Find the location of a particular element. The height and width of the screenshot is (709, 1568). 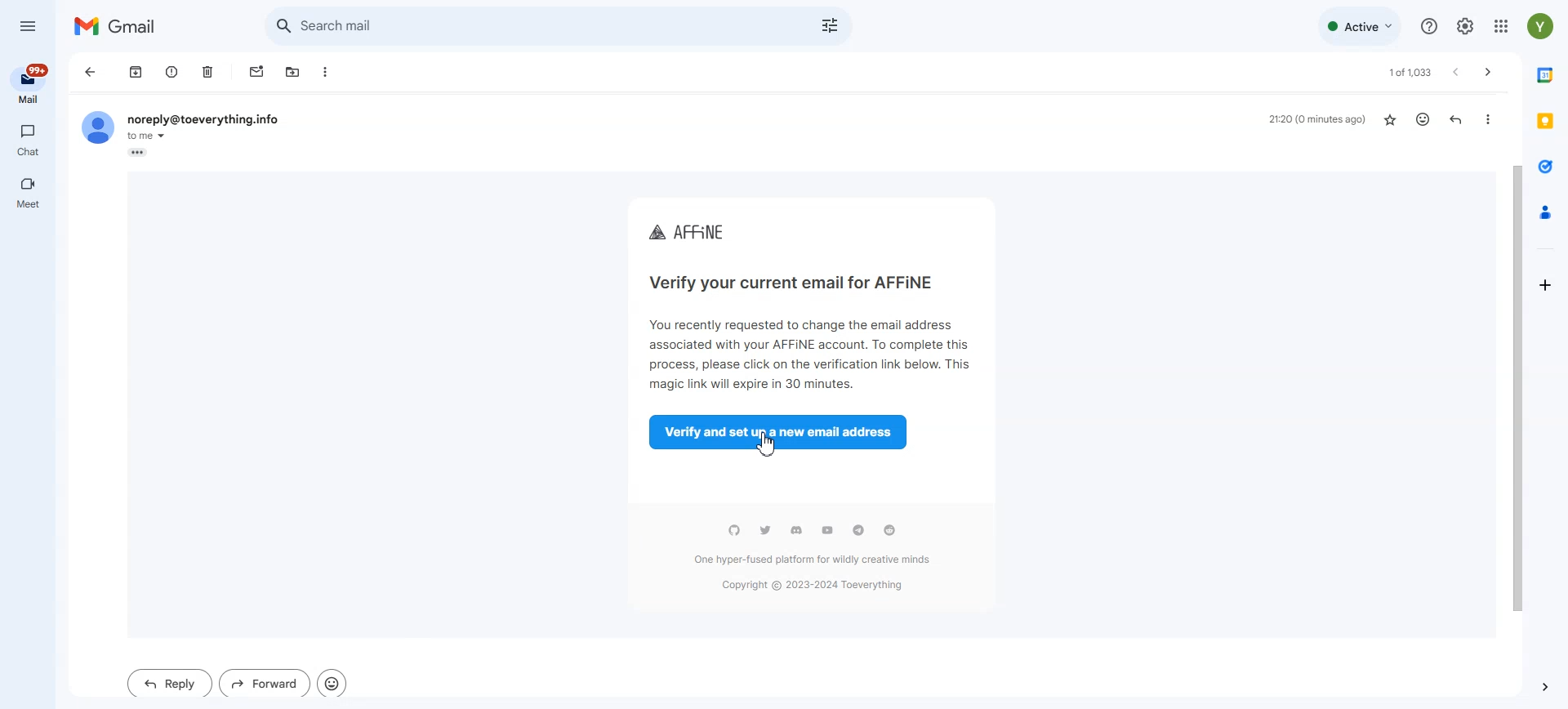

Logo is located at coordinates (117, 28).